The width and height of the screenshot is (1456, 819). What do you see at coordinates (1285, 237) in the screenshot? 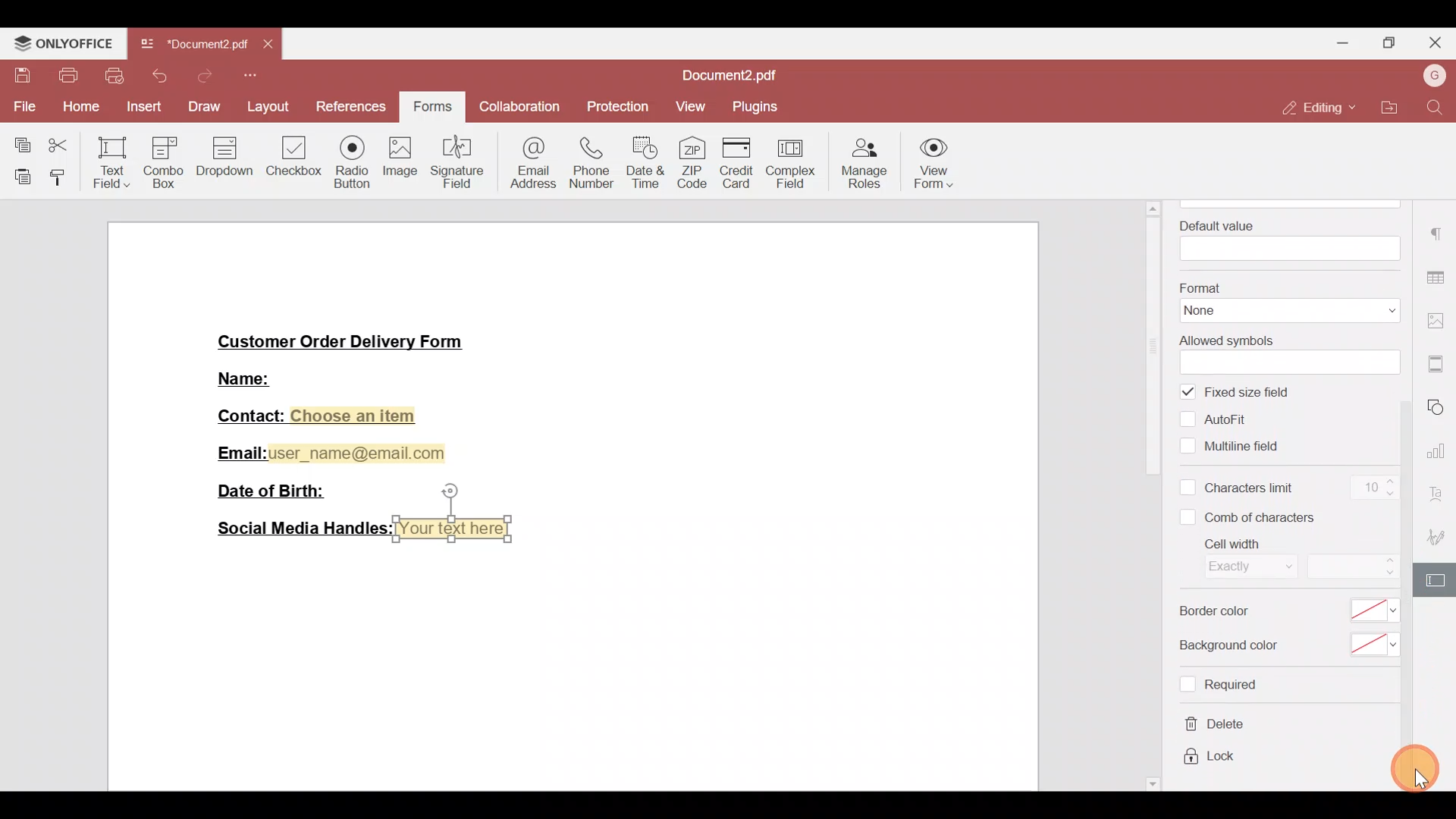
I see `Default value` at bounding box center [1285, 237].